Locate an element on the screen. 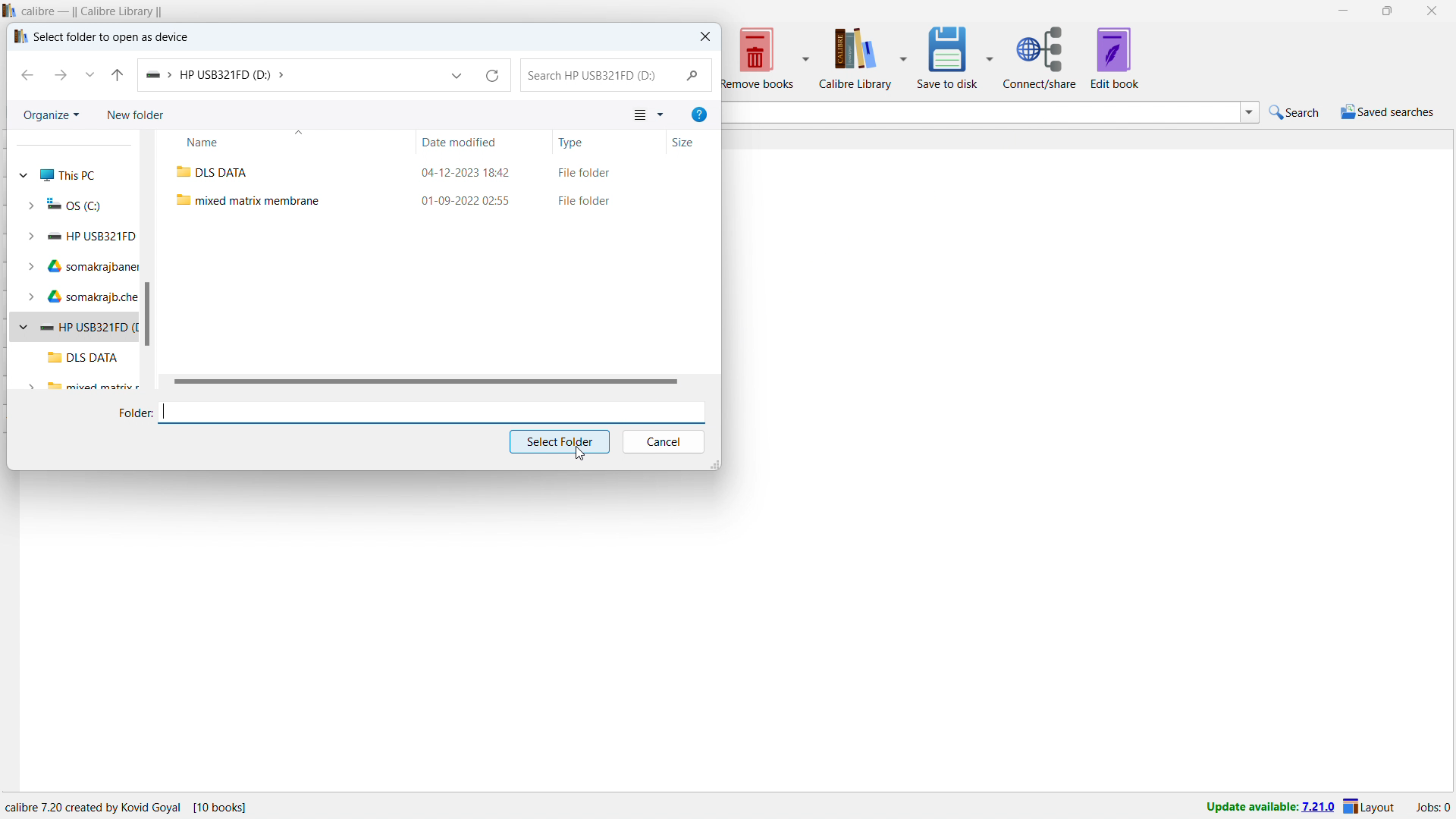 The image size is (1456, 819). sort by name is located at coordinates (285, 140).